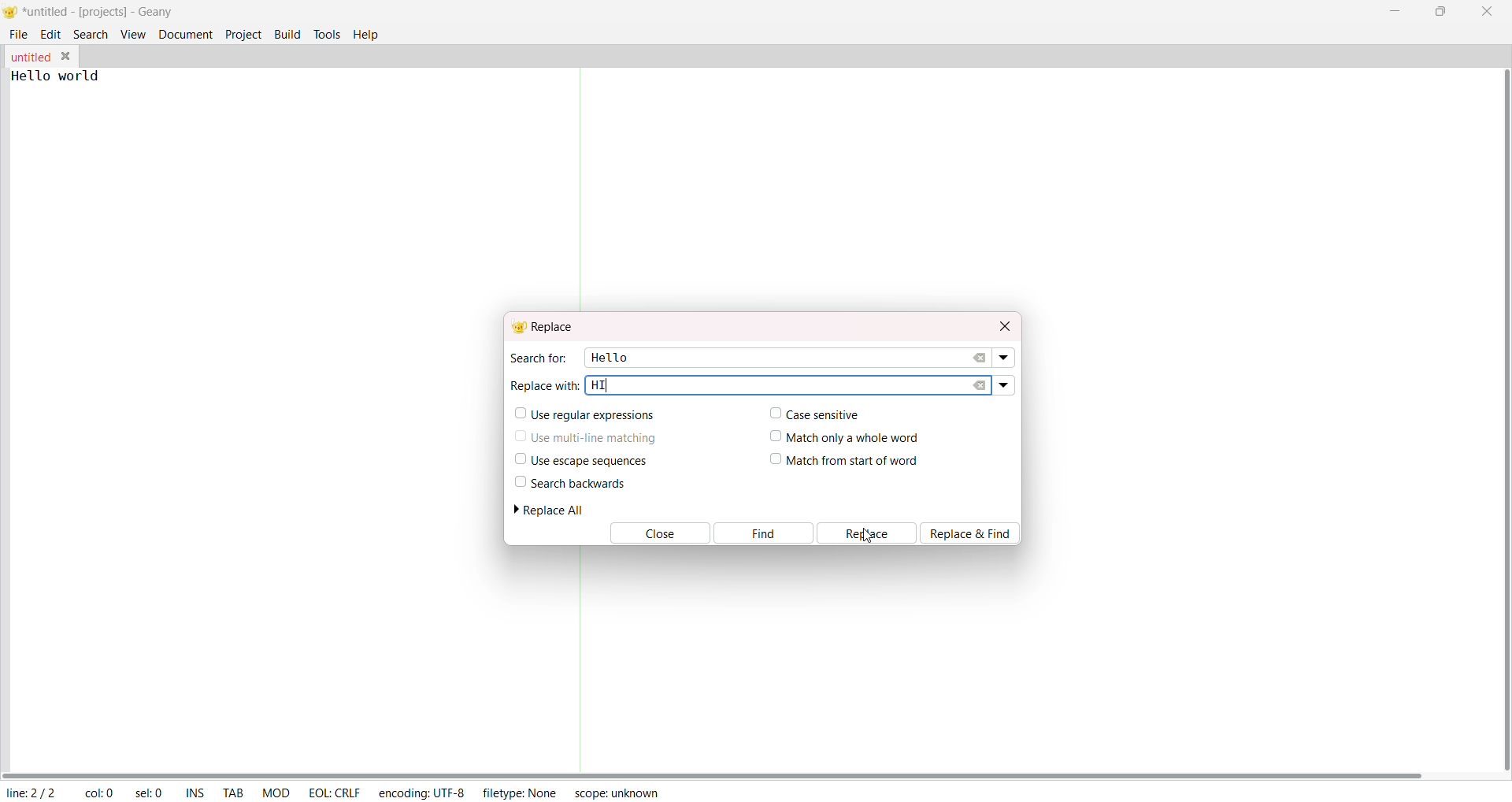 This screenshot has width=1512, height=802. What do you see at coordinates (980, 358) in the screenshot?
I see `clear search` at bounding box center [980, 358].